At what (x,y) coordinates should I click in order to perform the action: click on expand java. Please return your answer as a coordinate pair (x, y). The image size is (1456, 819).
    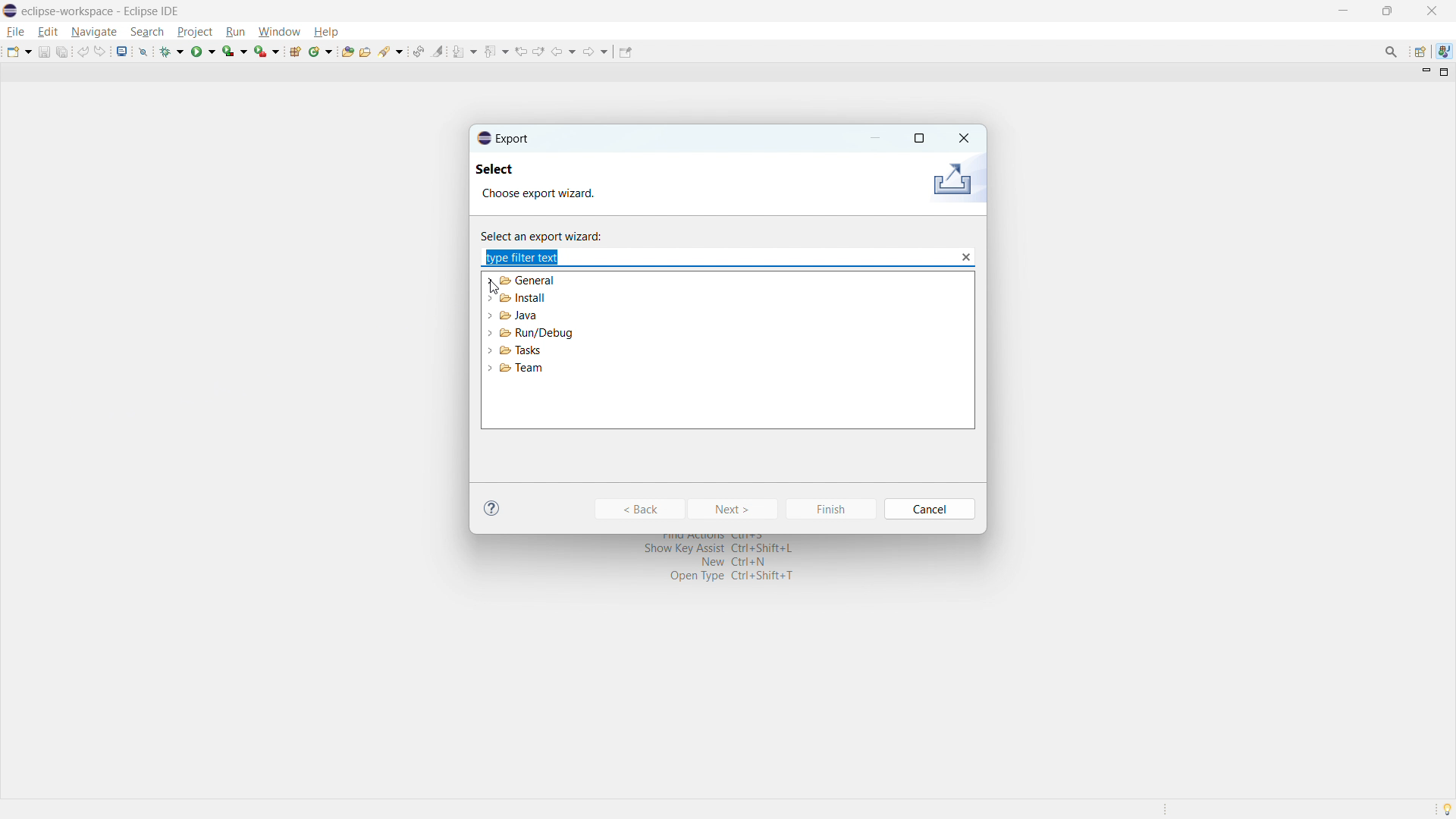
    Looking at the image, I should click on (489, 315).